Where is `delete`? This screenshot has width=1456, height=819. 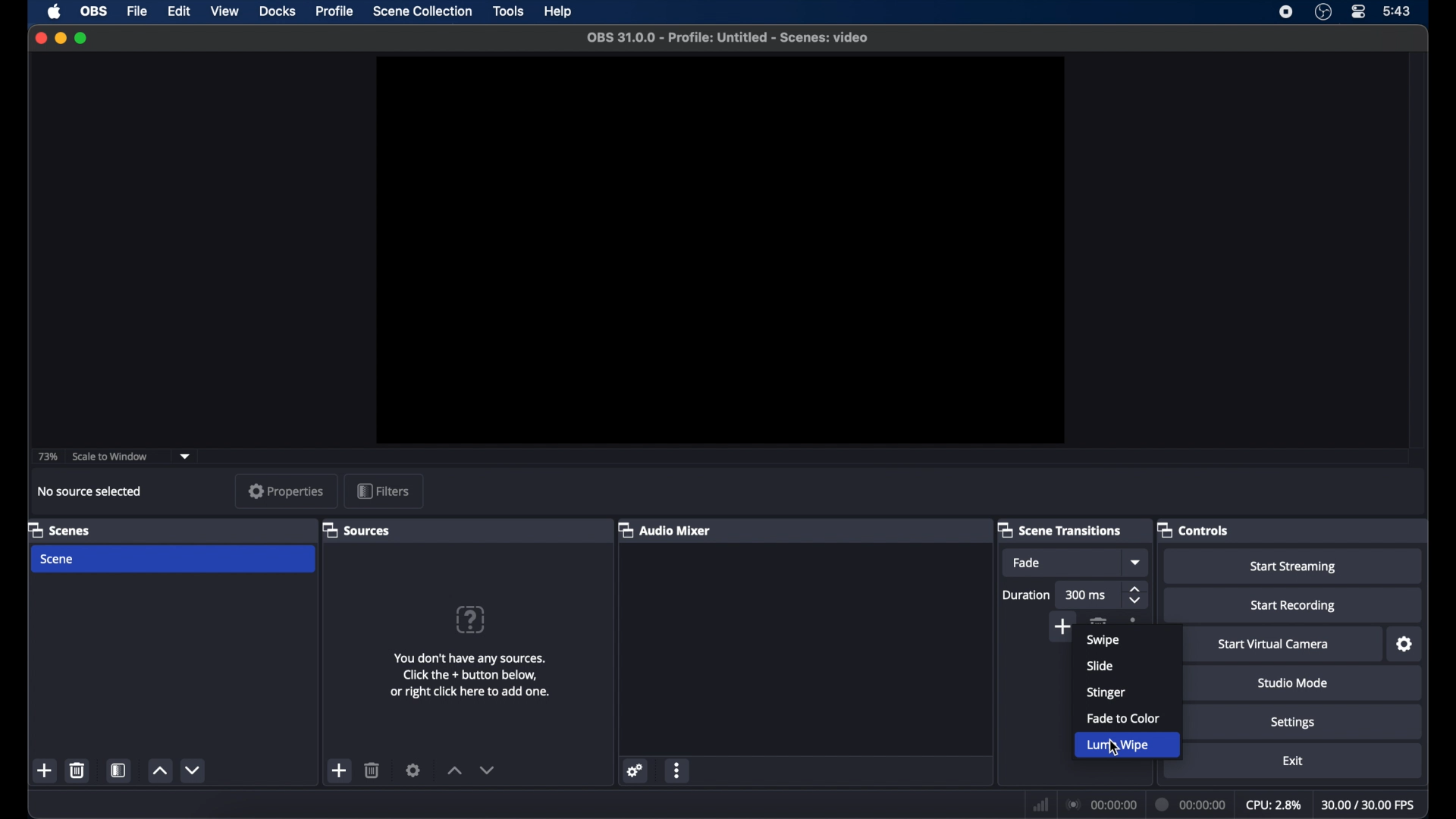 delete is located at coordinates (372, 770).